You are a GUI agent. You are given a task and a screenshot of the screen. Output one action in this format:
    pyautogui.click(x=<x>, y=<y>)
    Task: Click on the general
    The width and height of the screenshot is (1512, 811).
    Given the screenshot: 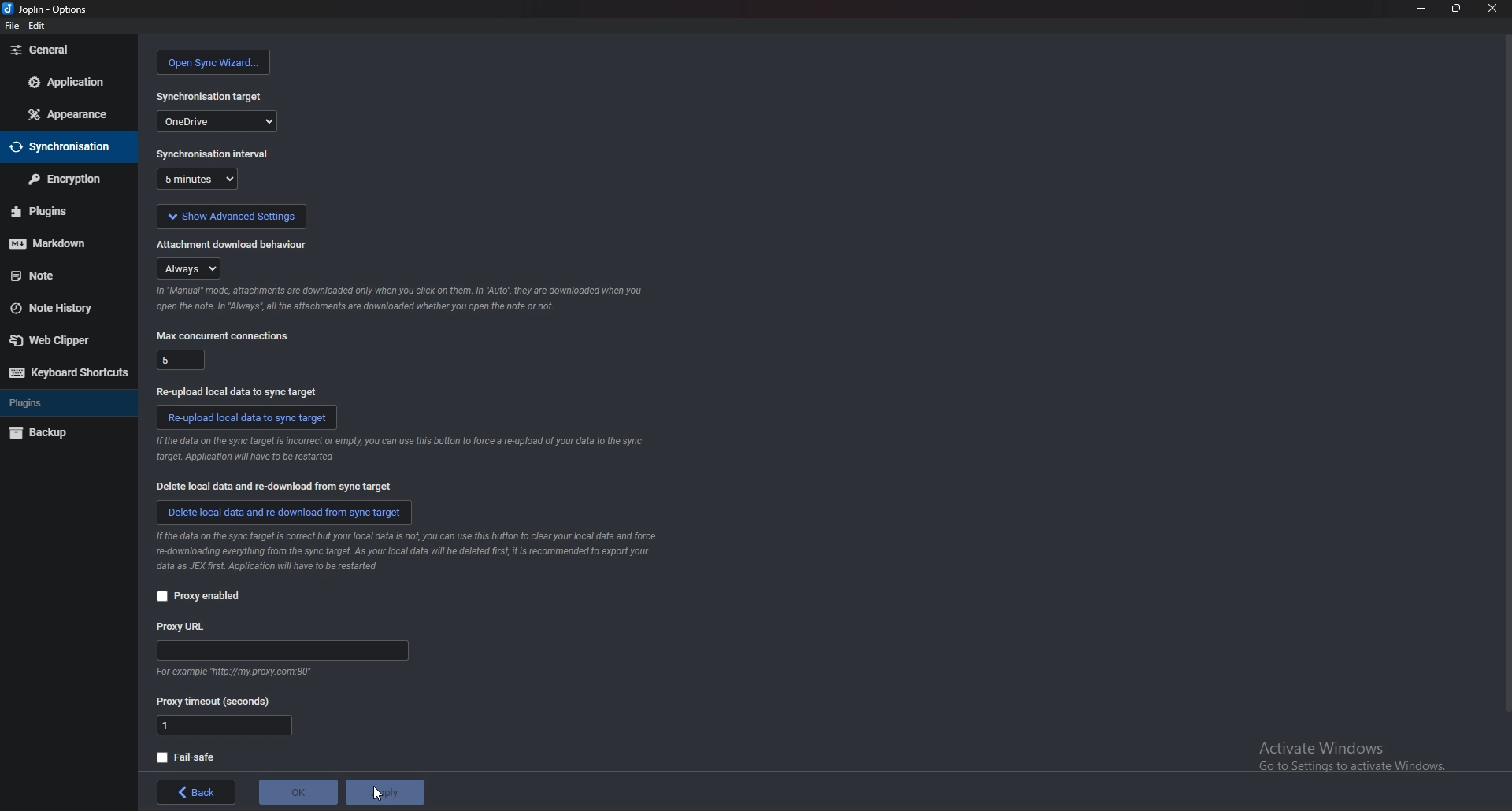 What is the action you would take?
    pyautogui.click(x=70, y=50)
    